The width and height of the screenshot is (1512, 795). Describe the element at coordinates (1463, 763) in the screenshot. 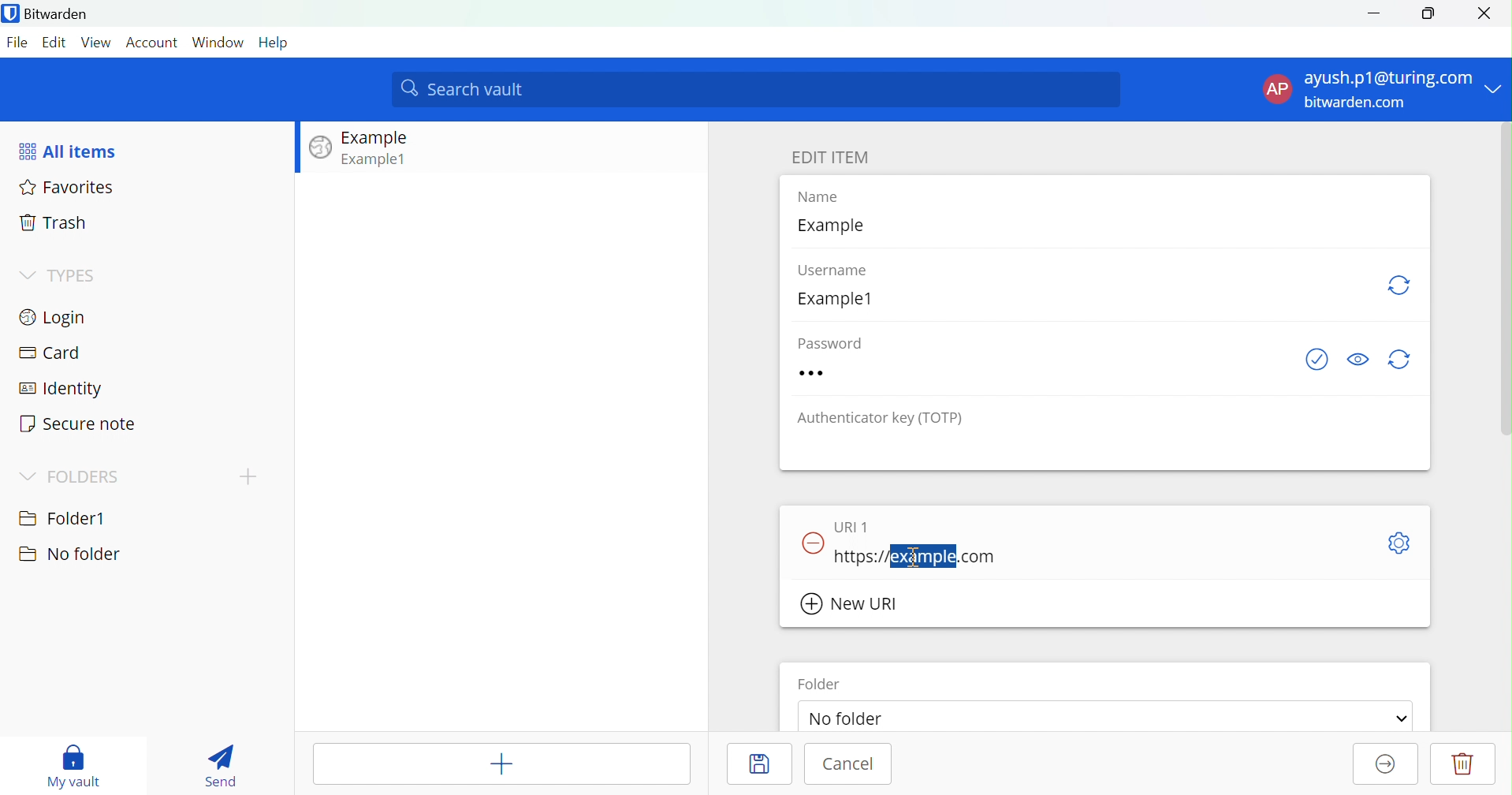

I see `Delete` at that location.